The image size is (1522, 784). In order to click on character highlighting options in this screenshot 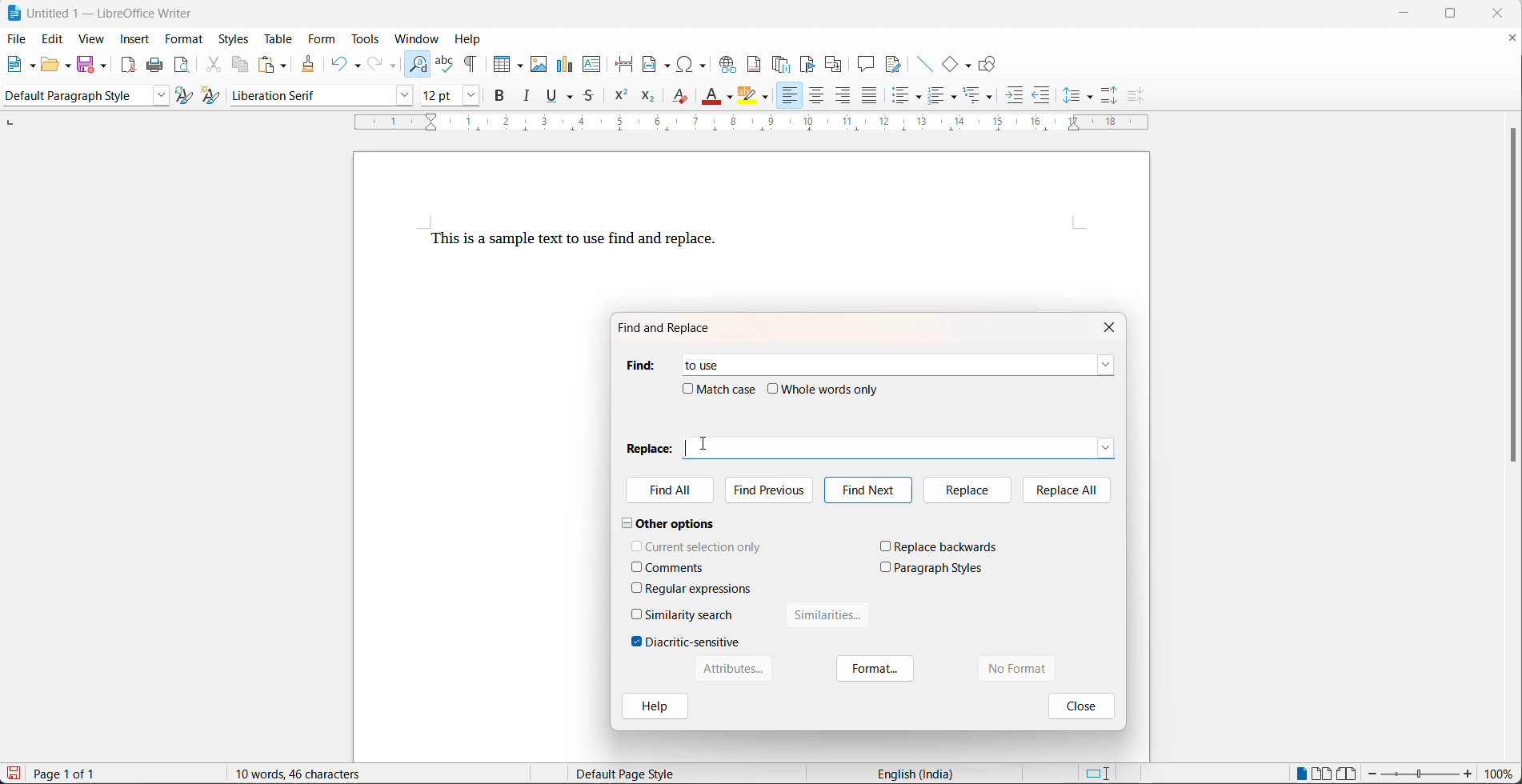, I will do `click(768, 98)`.